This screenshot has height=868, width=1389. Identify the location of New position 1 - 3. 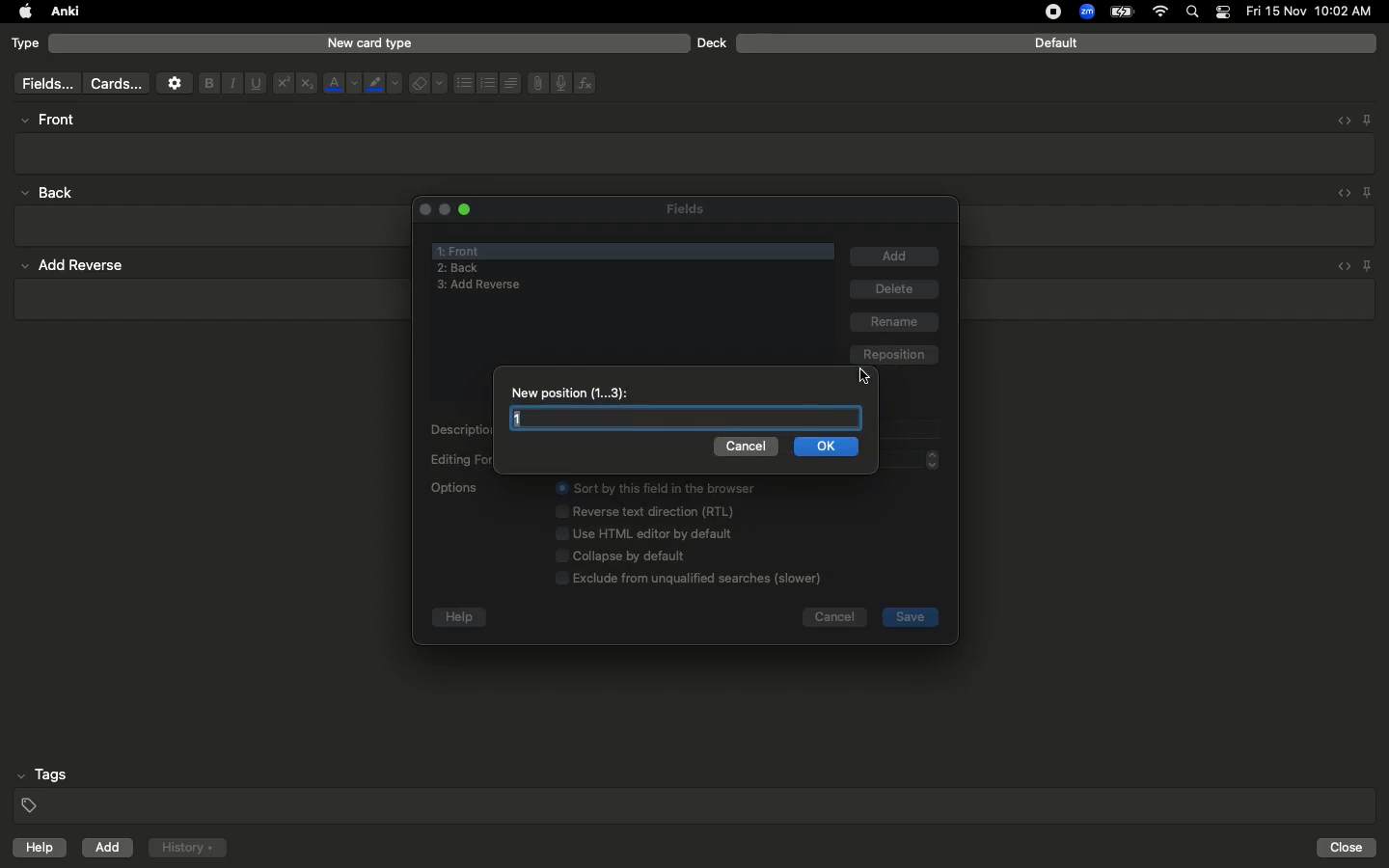
(574, 392).